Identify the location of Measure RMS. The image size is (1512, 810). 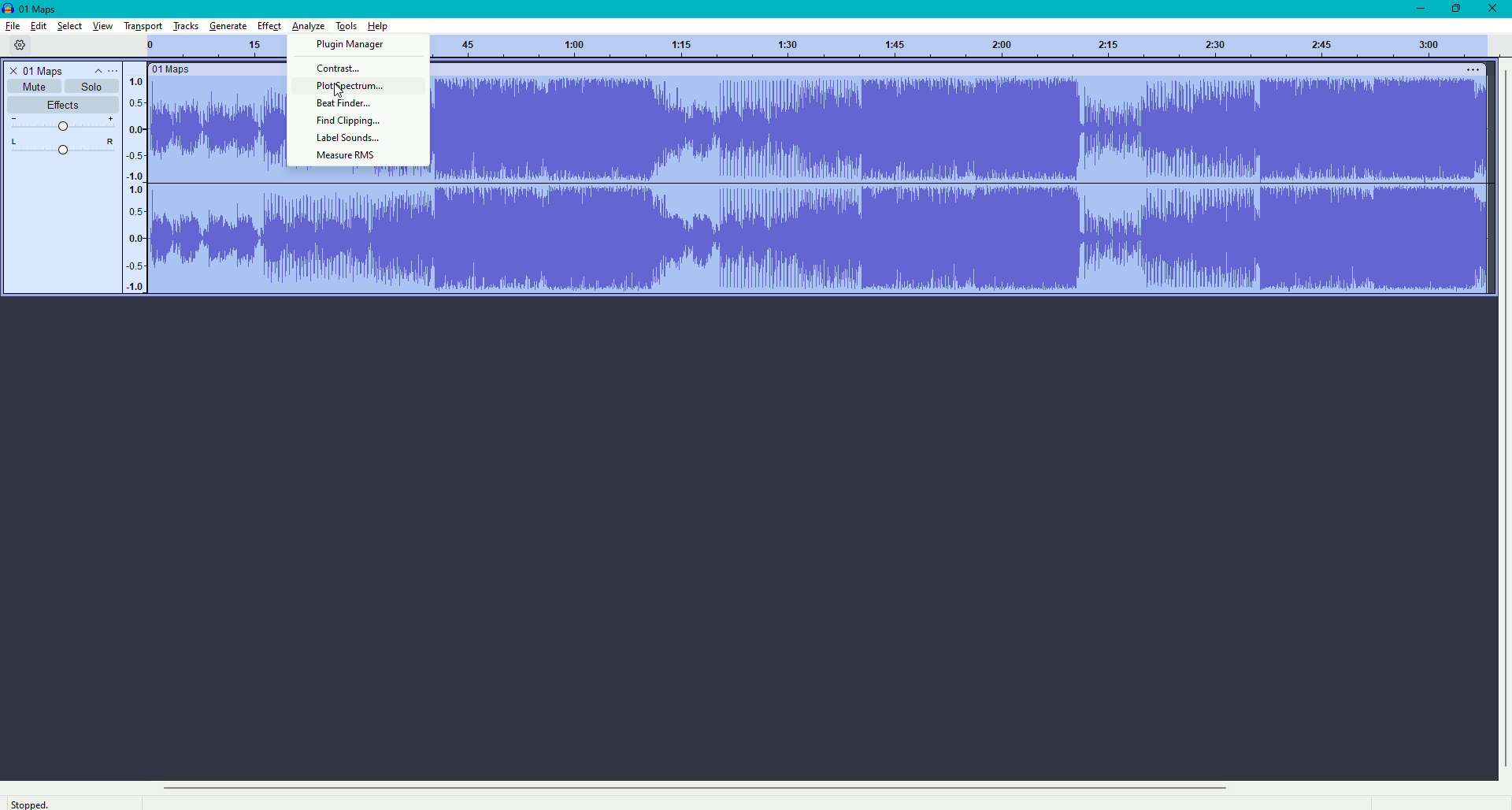
(345, 156).